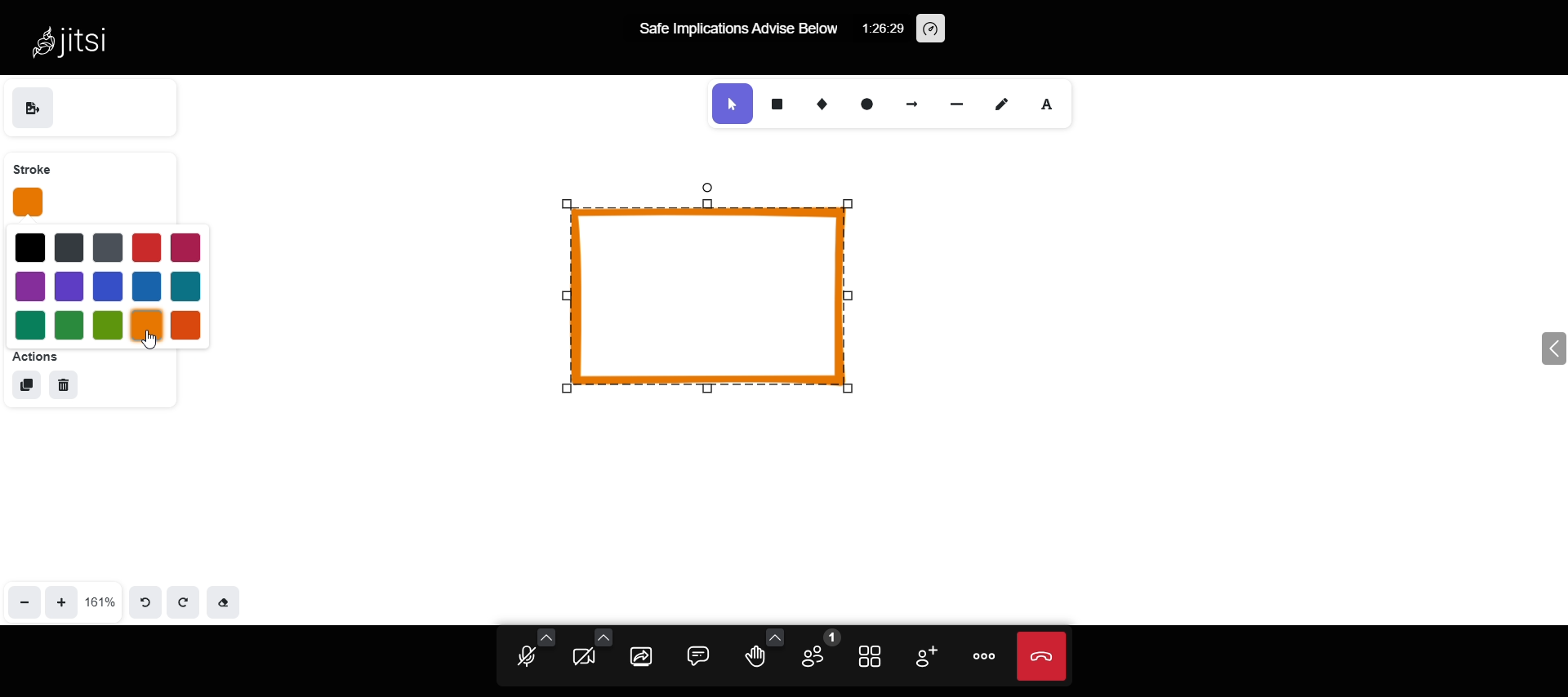 The width and height of the screenshot is (1568, 697). I want to click on red, so click(189, 326).